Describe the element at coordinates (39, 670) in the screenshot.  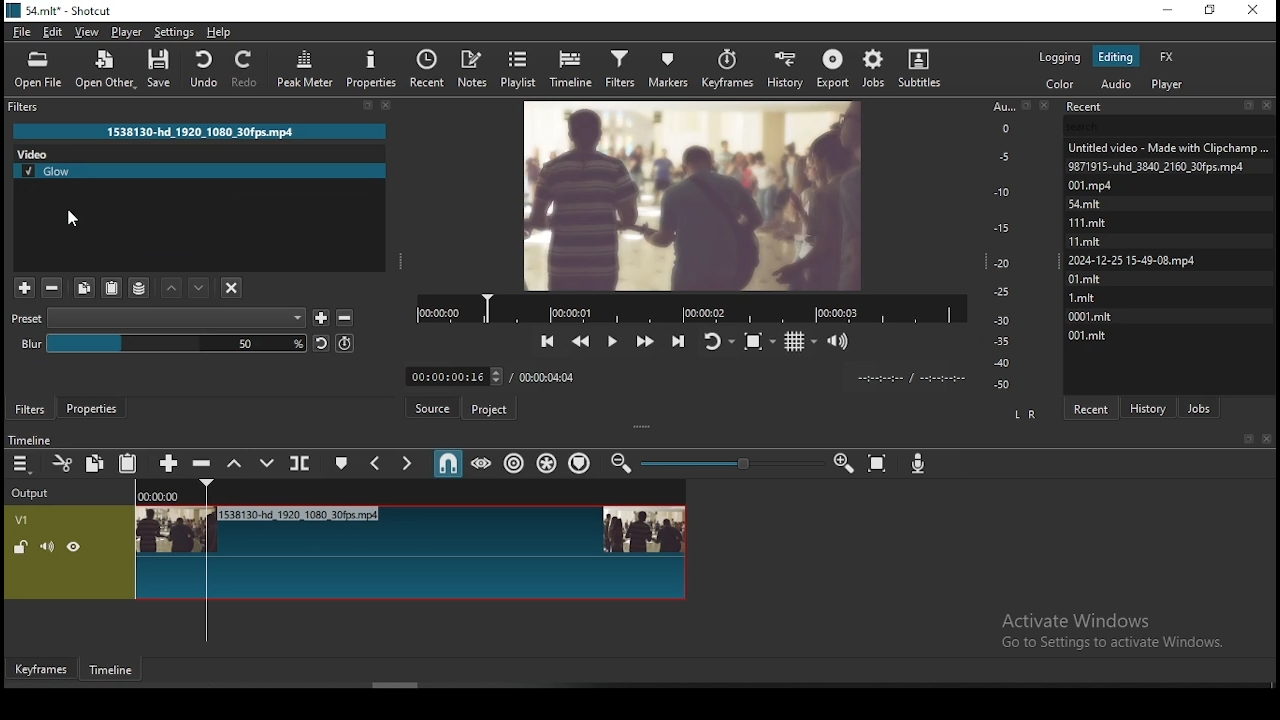
I see `keyframe` at that location.